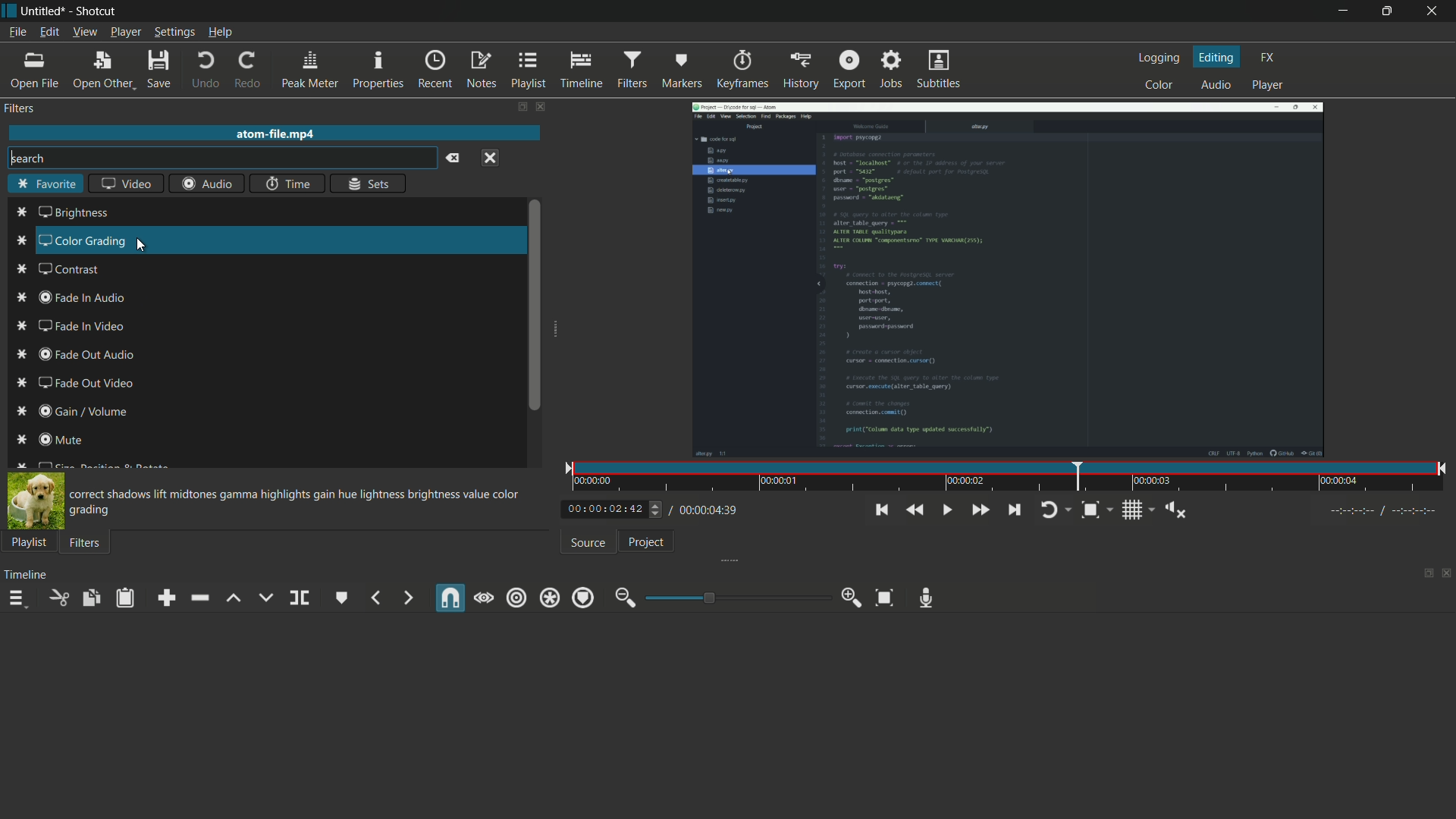 The height and width of the screenshot is (819, 1456). Describe the element at coordinates (528, 70) in the screenshot. I see `playlist` at that location.